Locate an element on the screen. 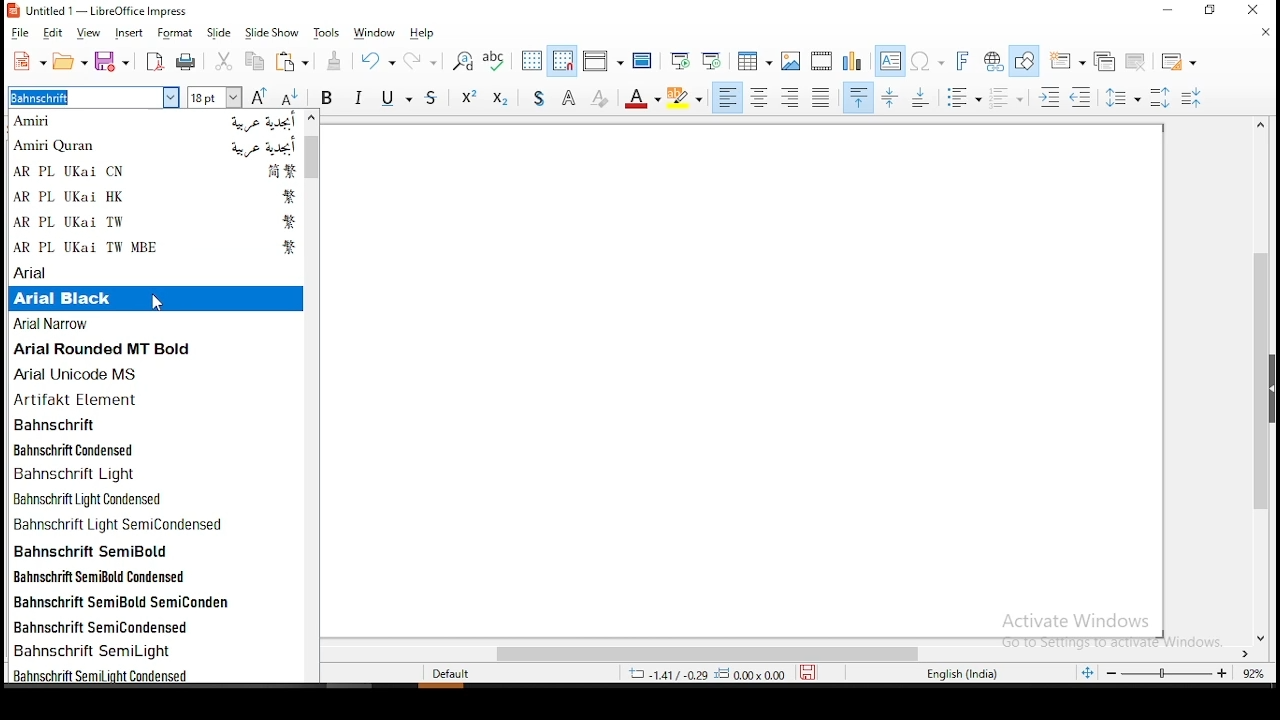 The image size is (1280, 720). bahnschrift semilight is located at coordinates (153, 650).